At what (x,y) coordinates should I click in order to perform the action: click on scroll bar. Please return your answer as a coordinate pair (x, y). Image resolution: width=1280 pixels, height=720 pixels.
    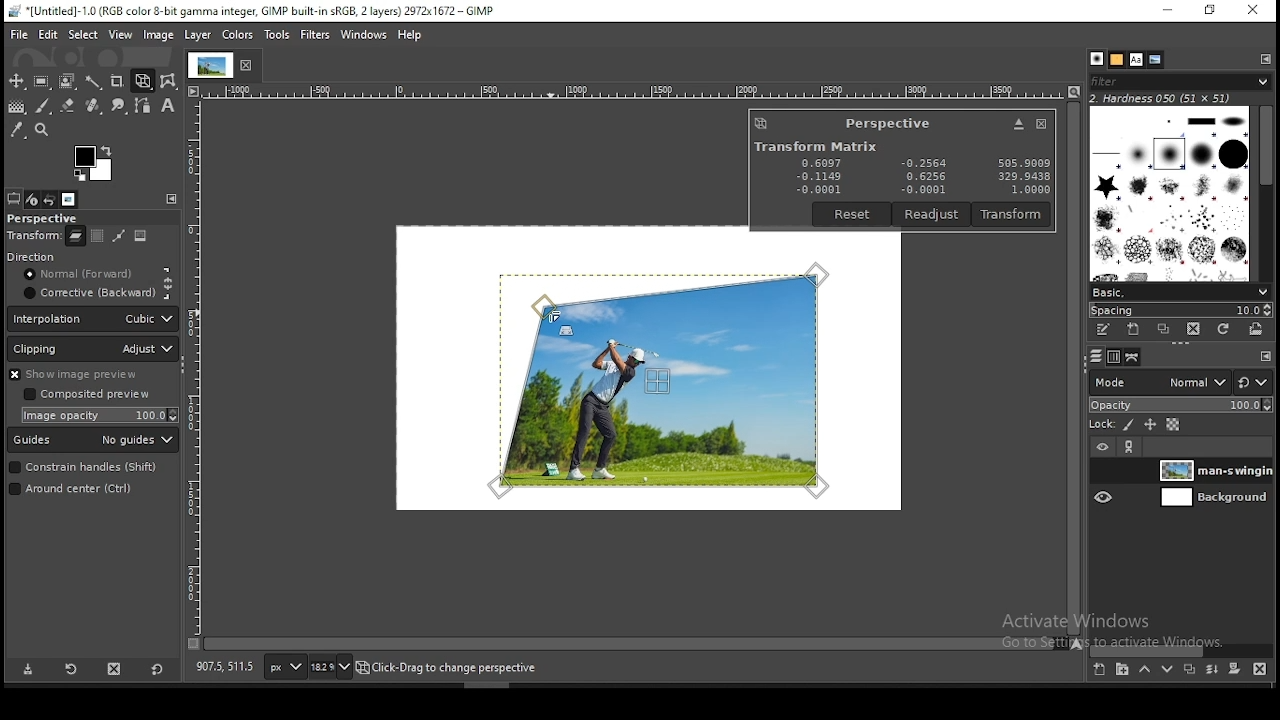
    Looking at the image, I should click on (630, 646).